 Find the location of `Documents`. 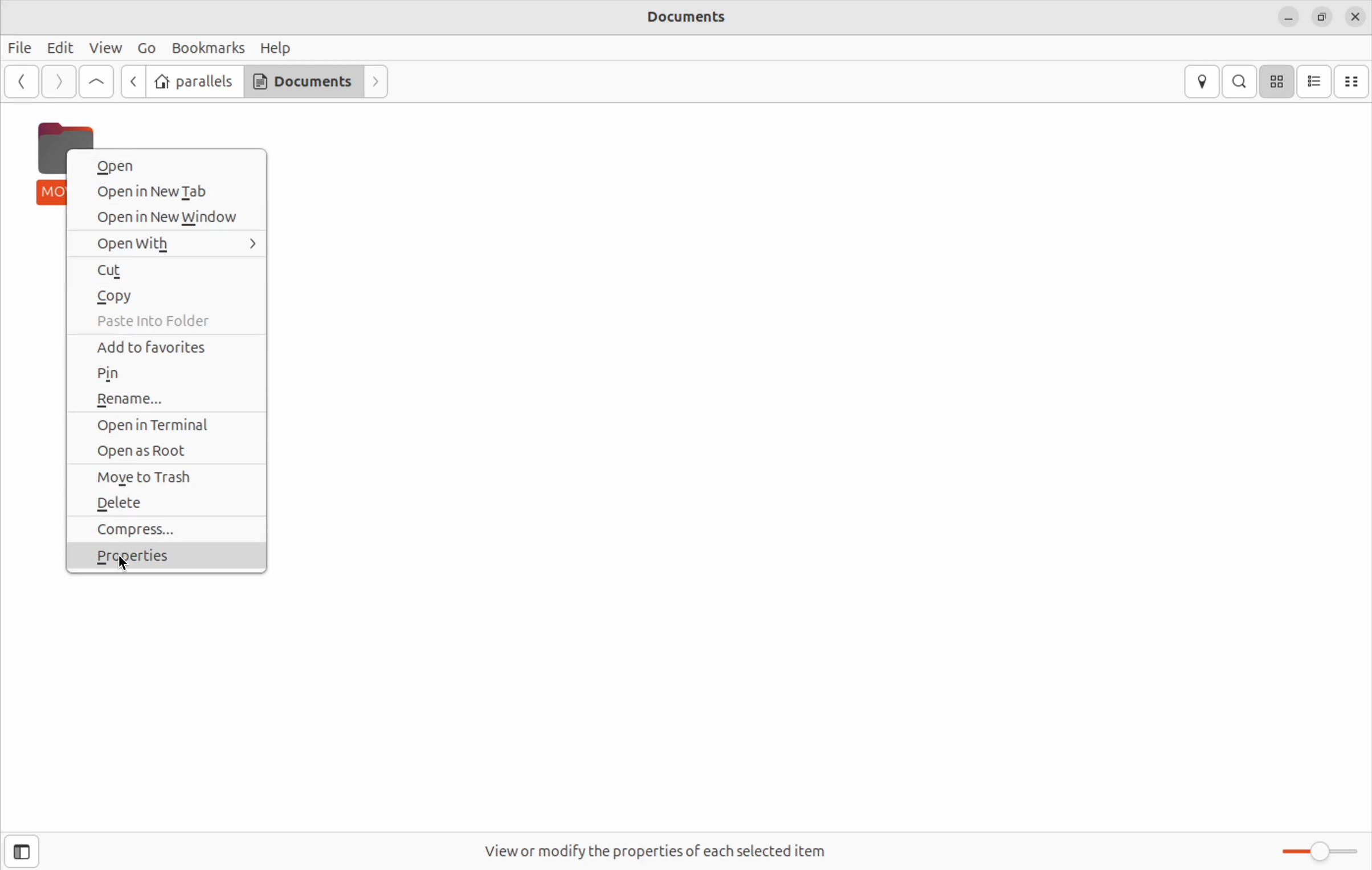

Documents is located at coordinates (682, 18).